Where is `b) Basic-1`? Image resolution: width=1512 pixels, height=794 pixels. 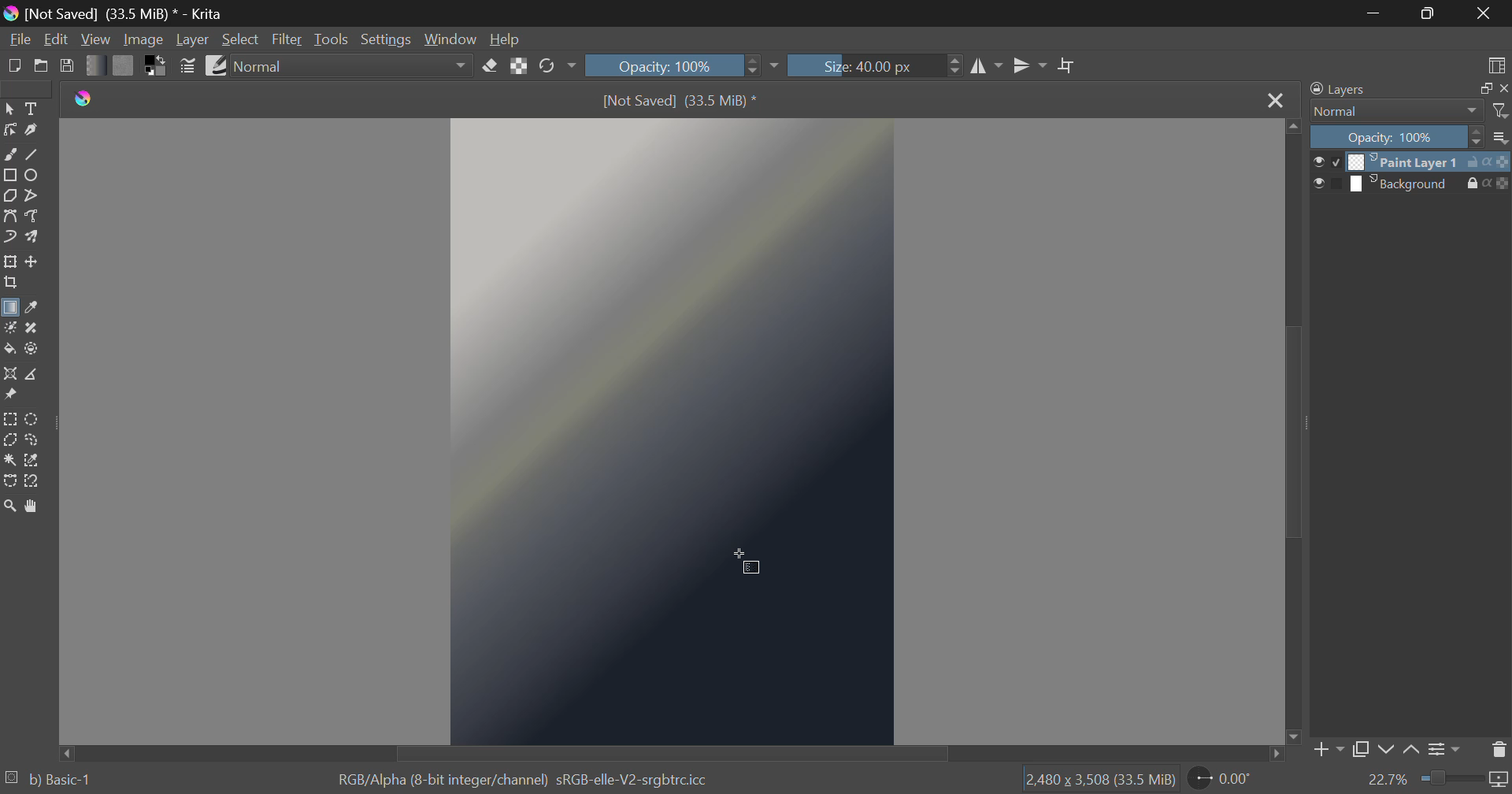
b) Basic-1 is located at coordinates (49, 781).